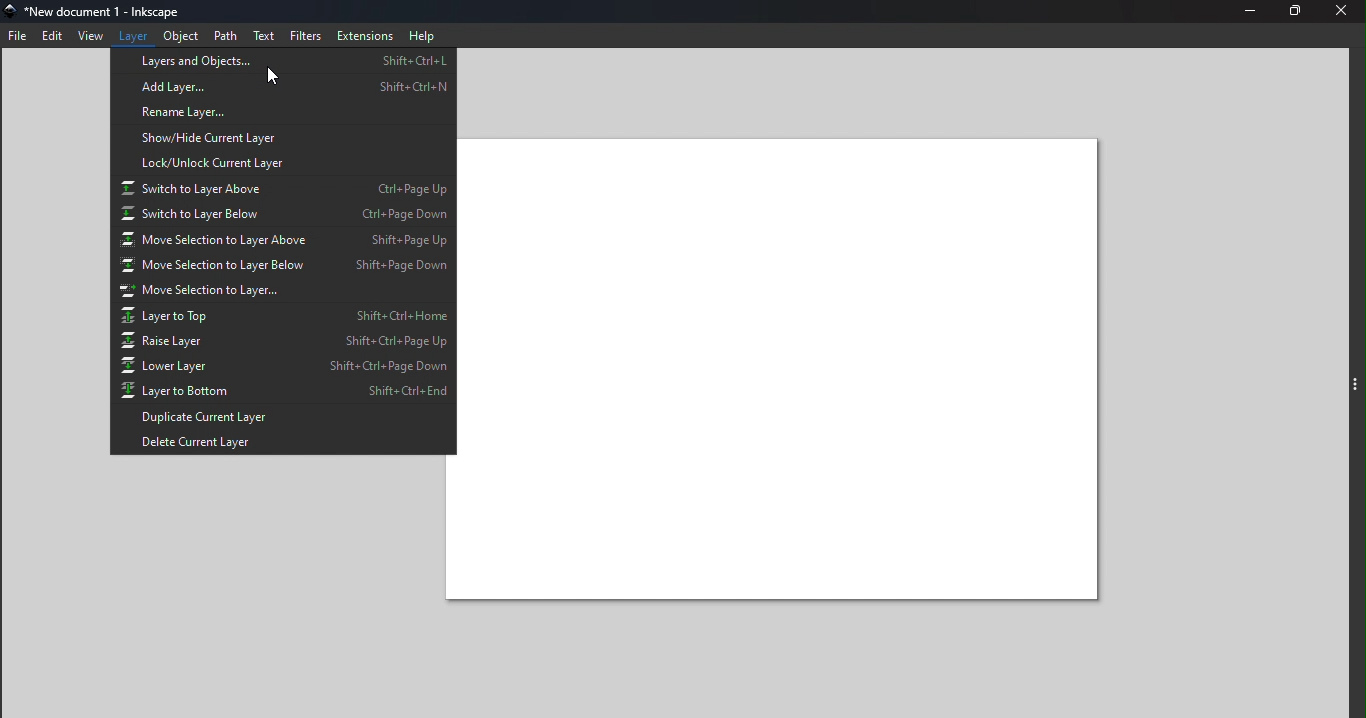  What do you see at coordinates (1296, 12) in the screenshot?
I see `Maximize` at bounding box center [1296, 12].